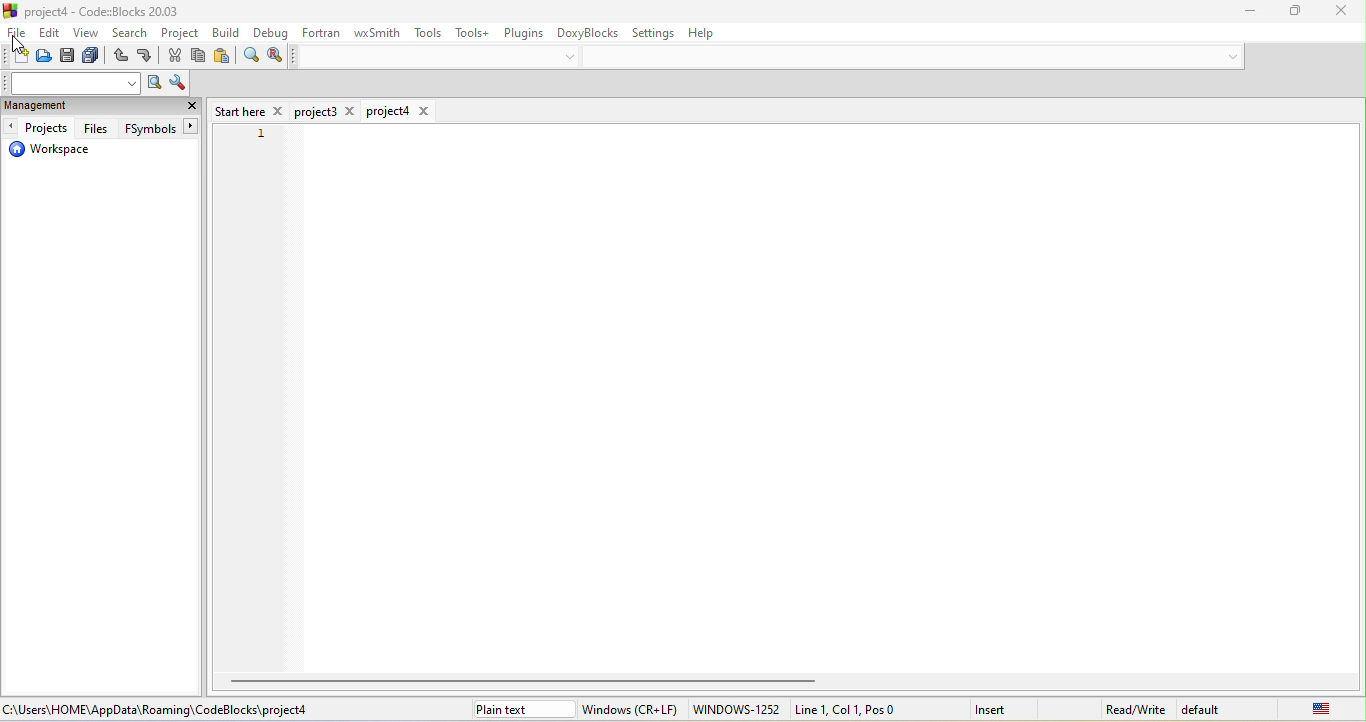 Image resolution: width=1366 pixels, height=722 pixels. What do you see at coordinates (50, 152) in the screenshot?
I see `workspace` at bounding box center [50, 152].